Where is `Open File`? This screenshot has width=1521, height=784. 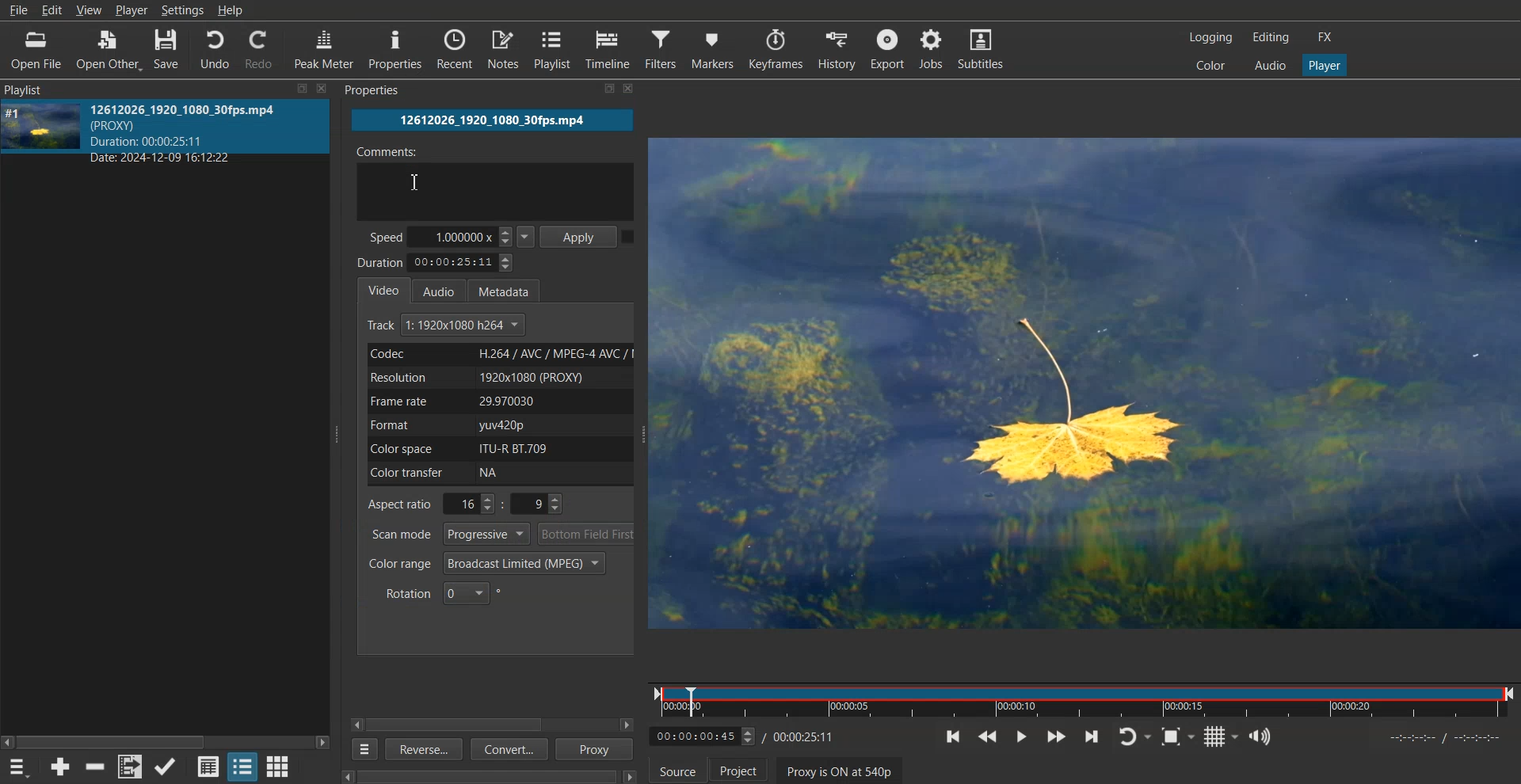 Open File is located at coordinates (36, 49).